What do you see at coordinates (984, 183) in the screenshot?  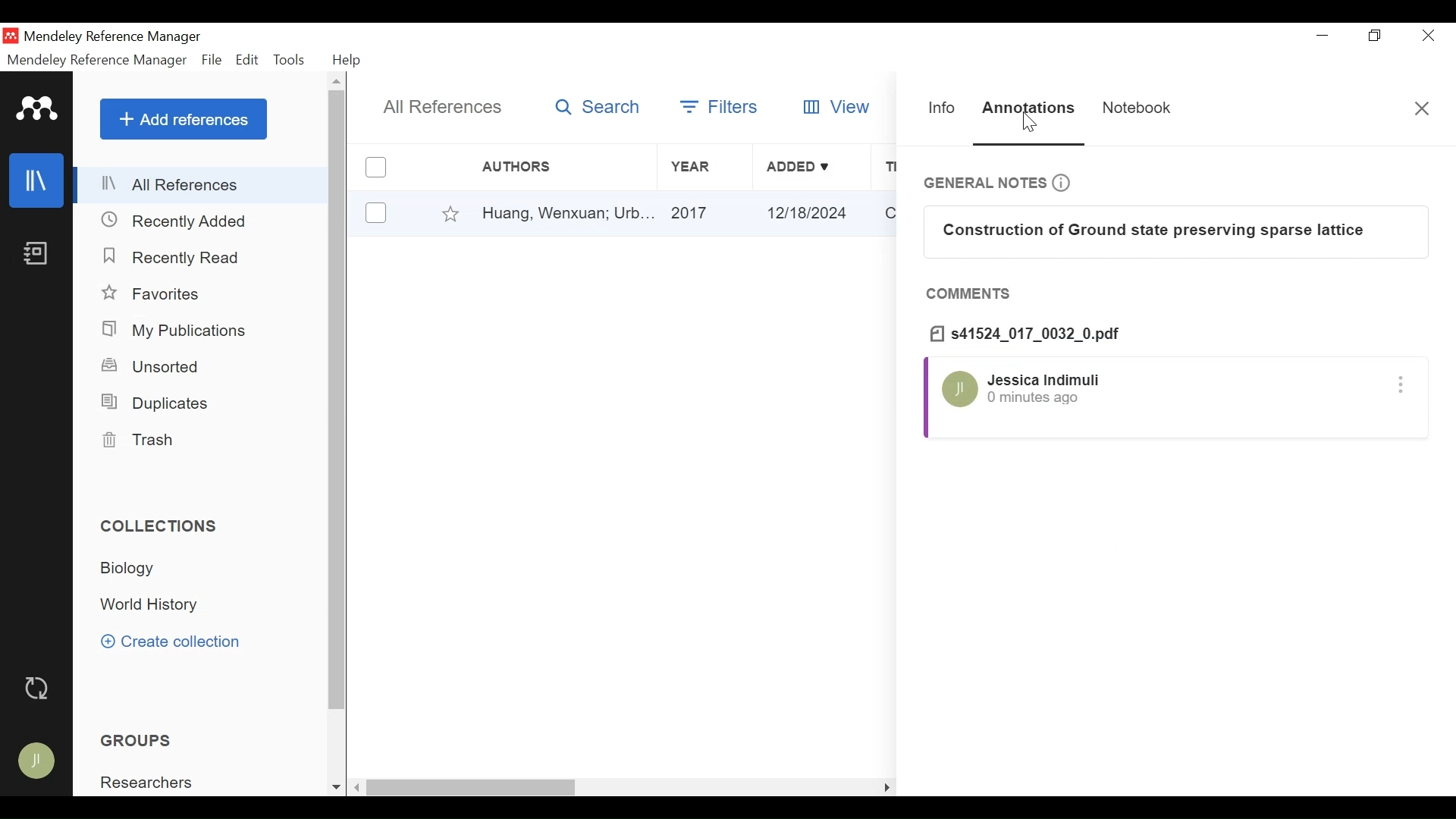 I see `General Notes` at bounding box center [984, 183].